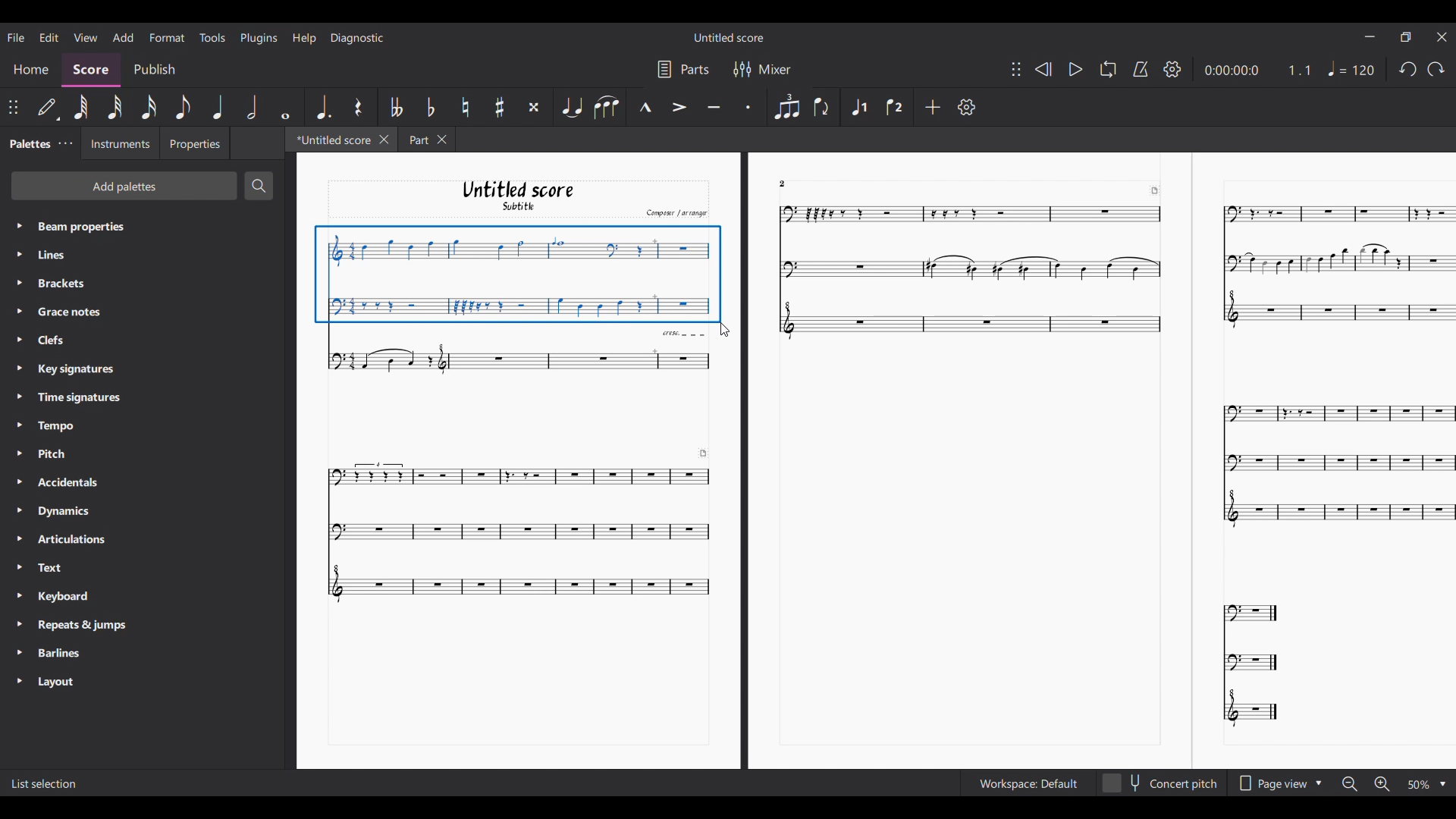  What do you see at coordinates (284, 107) in the screenshot?
I see `Whole note` at bounding box center [284, 107].